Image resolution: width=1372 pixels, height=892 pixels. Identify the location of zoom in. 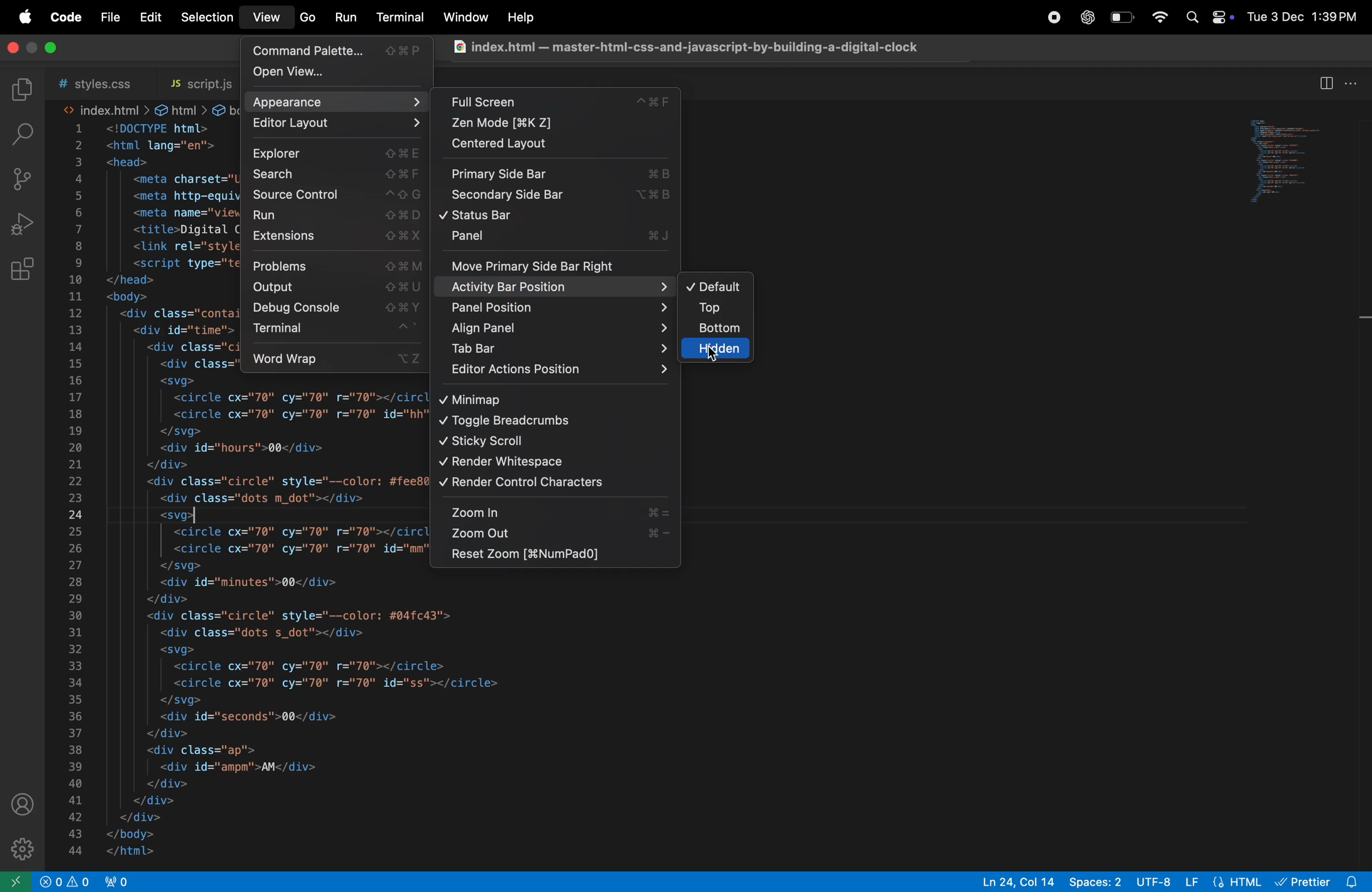
(555, 510).